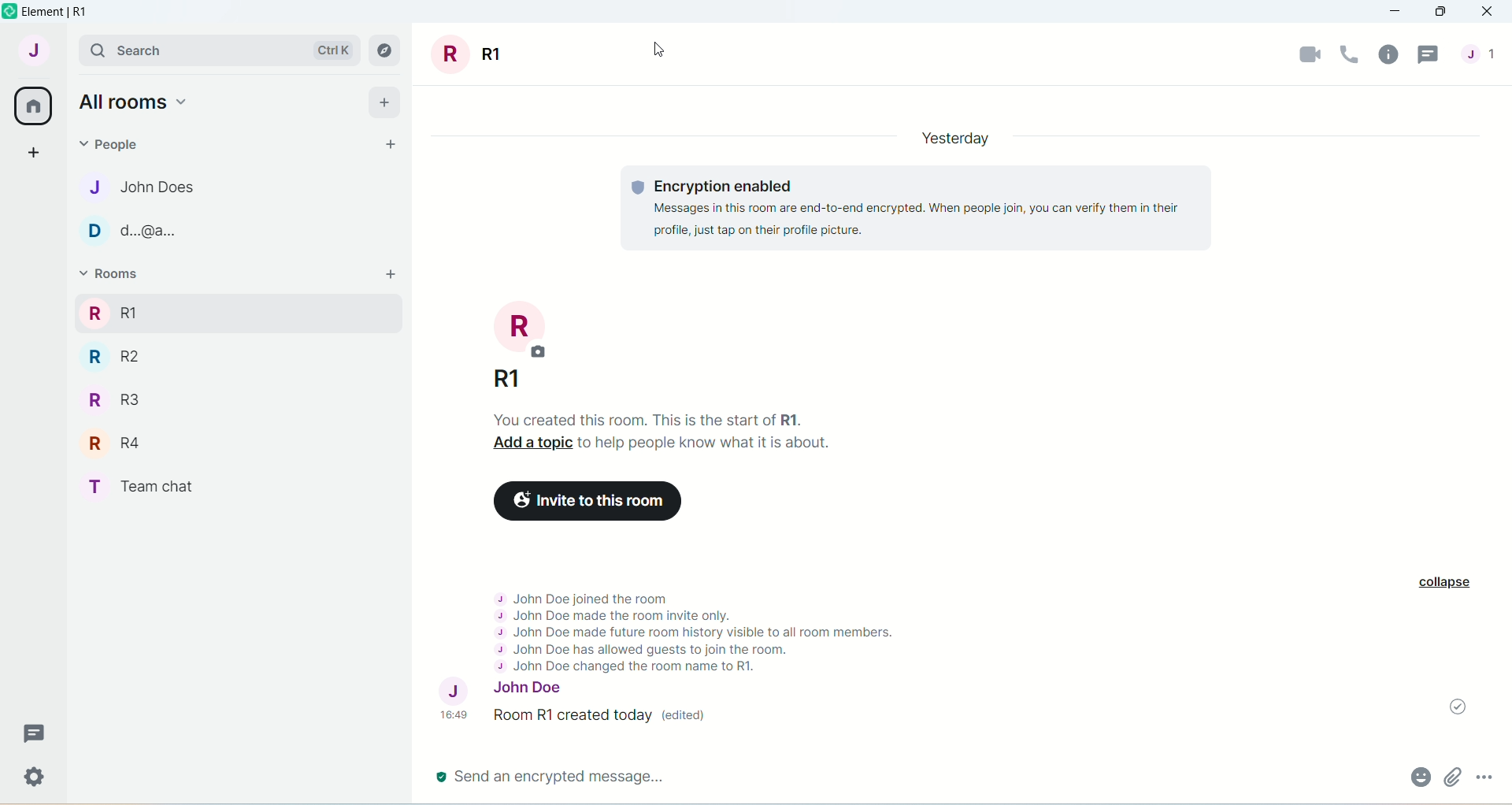 This screenshot has width=1512, height=805. Describe the element at coordinates (524, 326) in the screenshot. I see `R Profile Pic` at that location.